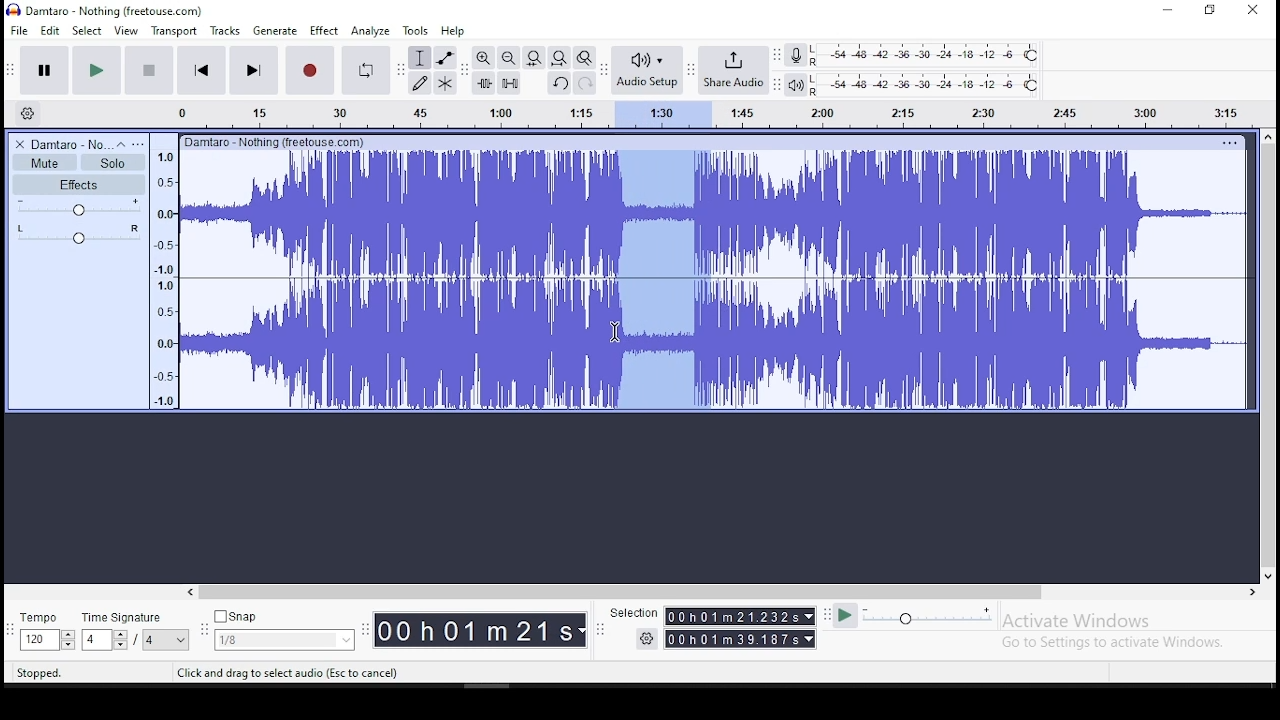  What do you see at coordinates (94, 640) in the screenshot?
I see `4` at bounding box center [94, 640].